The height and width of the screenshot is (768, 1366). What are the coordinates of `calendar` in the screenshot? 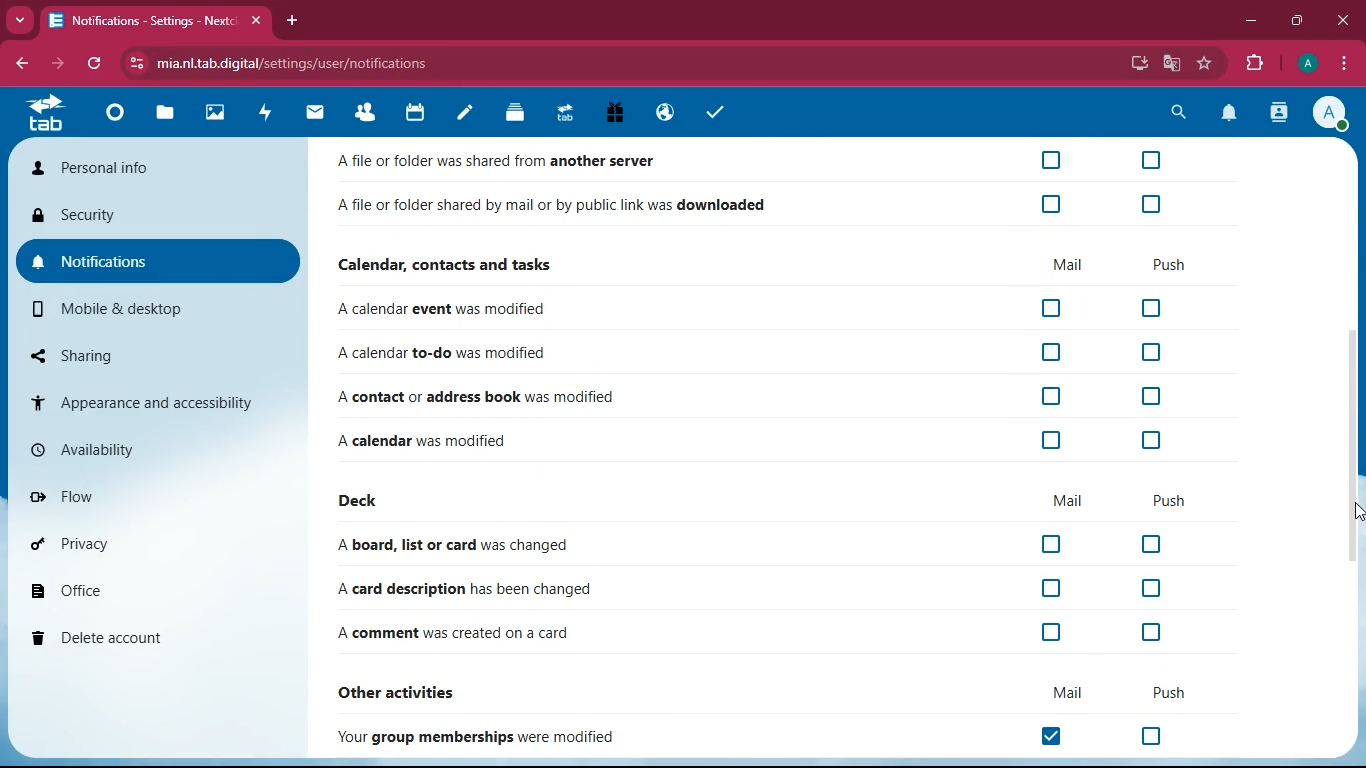 It's located at (415, 114).